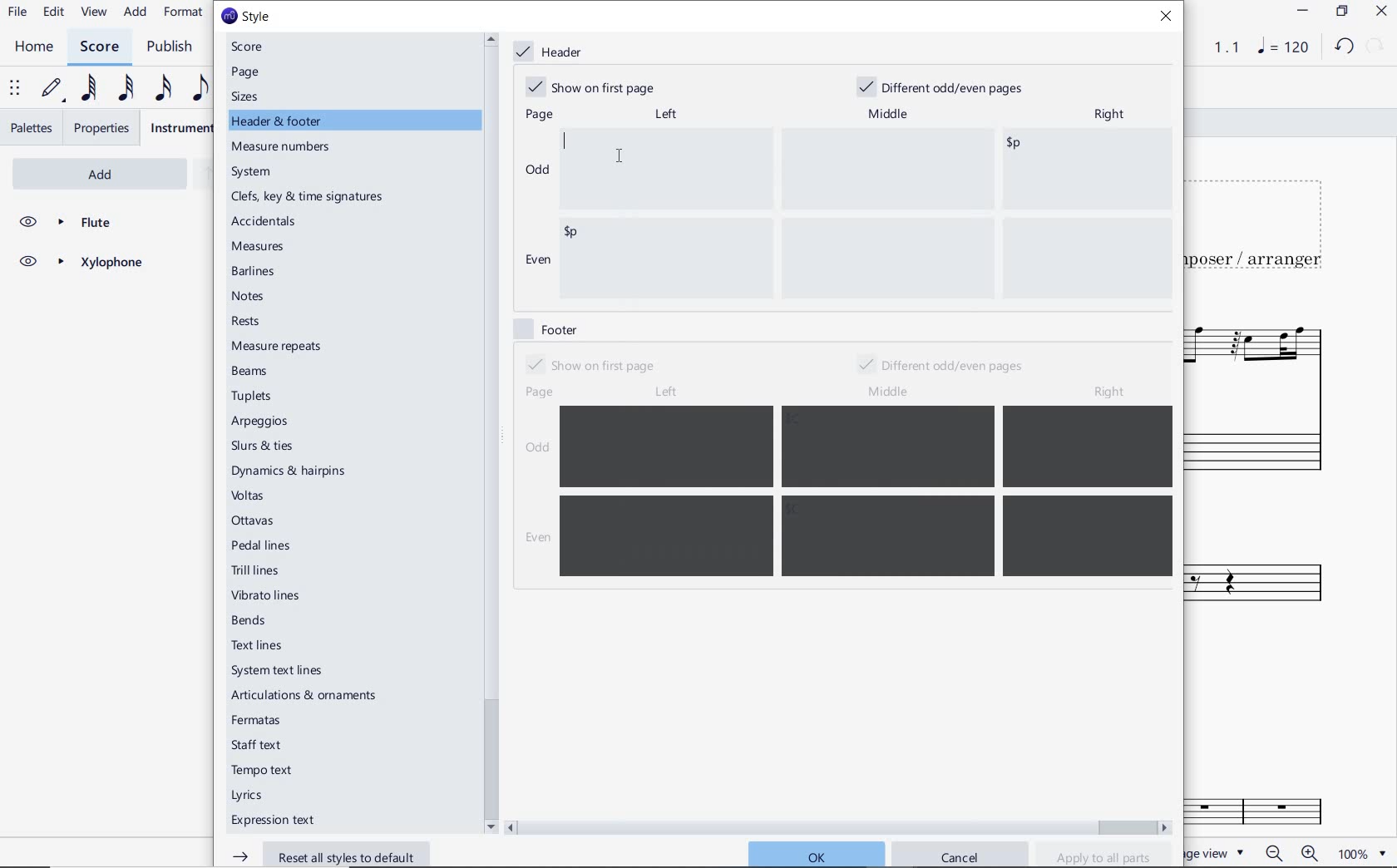  What do you see at coordinates (1220, 852) in the screenshot?
I see `PAGE VIEW` at bounding box center [1220, 852].